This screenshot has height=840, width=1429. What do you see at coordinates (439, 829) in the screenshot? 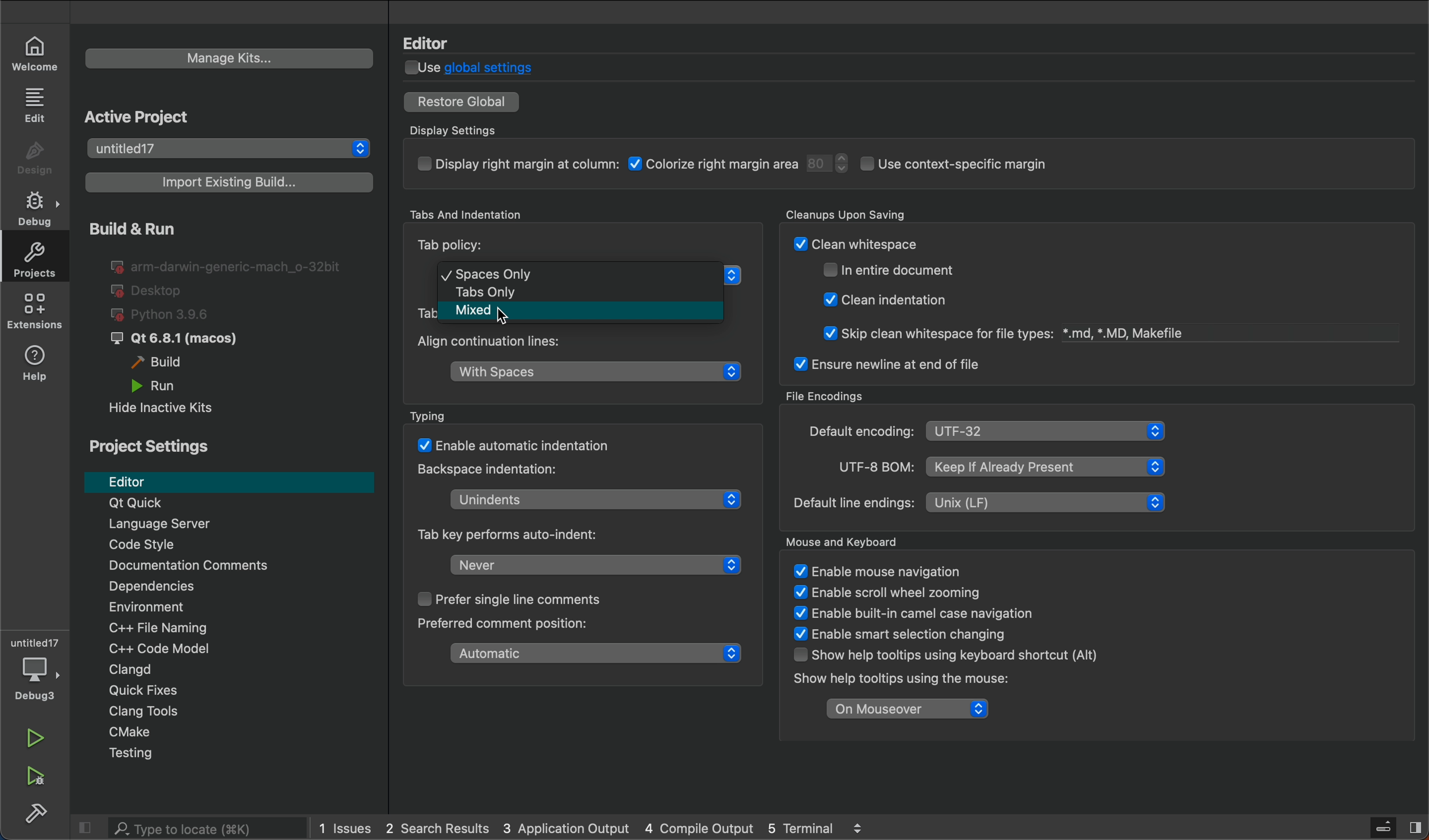
I see `search results` at bounding box center [439, 829].